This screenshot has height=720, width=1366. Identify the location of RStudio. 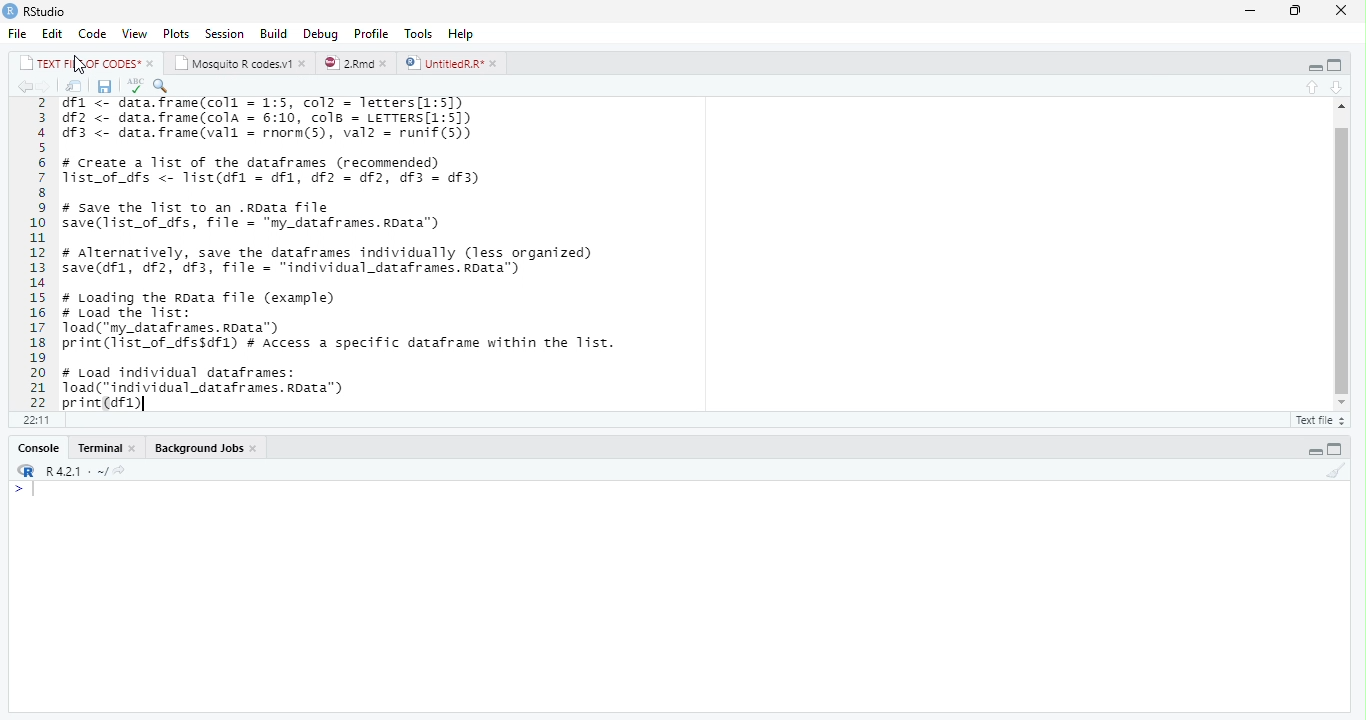
(37, 12).